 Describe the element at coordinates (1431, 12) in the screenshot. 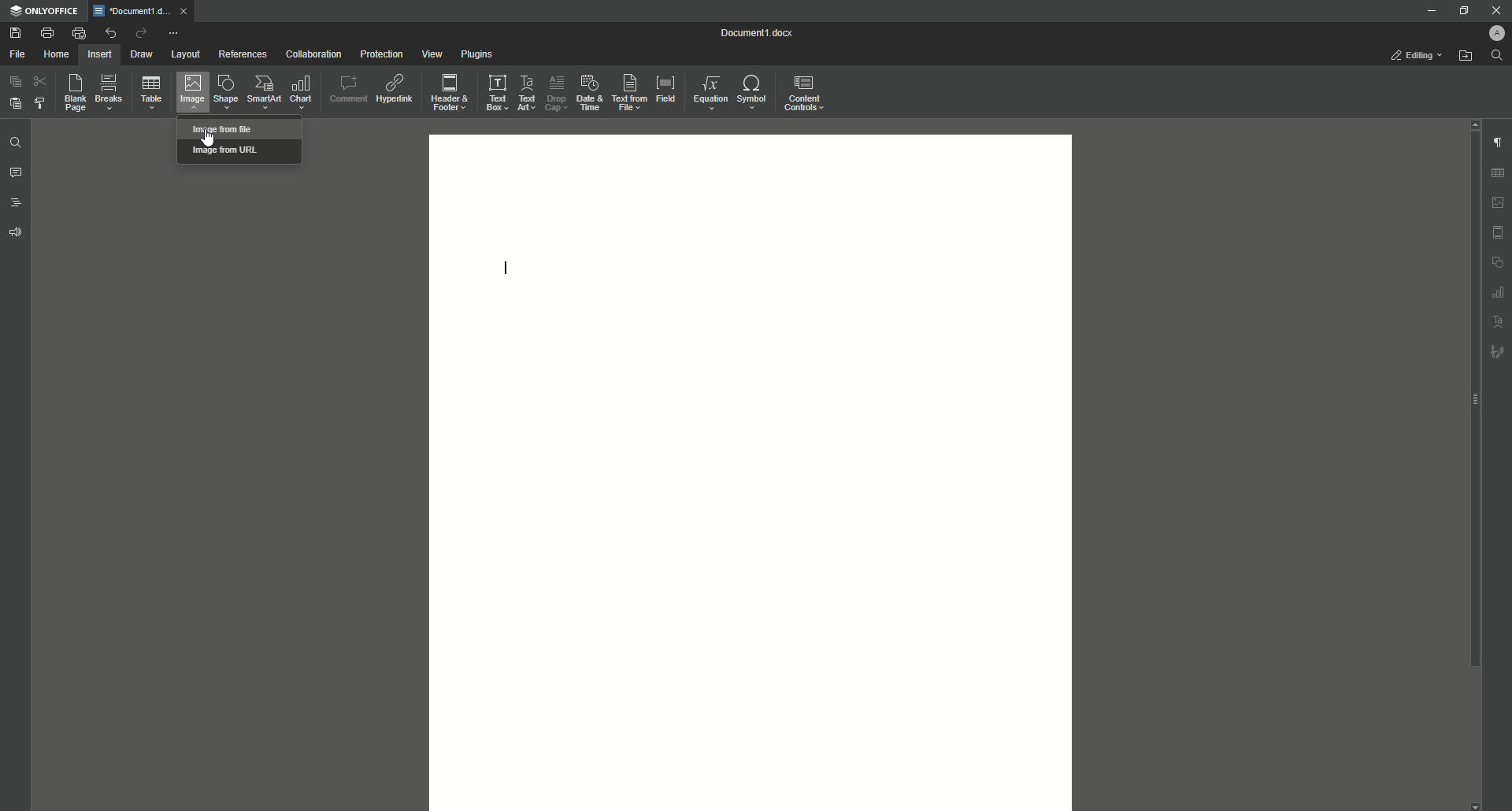

I see `Minimize` at that location.